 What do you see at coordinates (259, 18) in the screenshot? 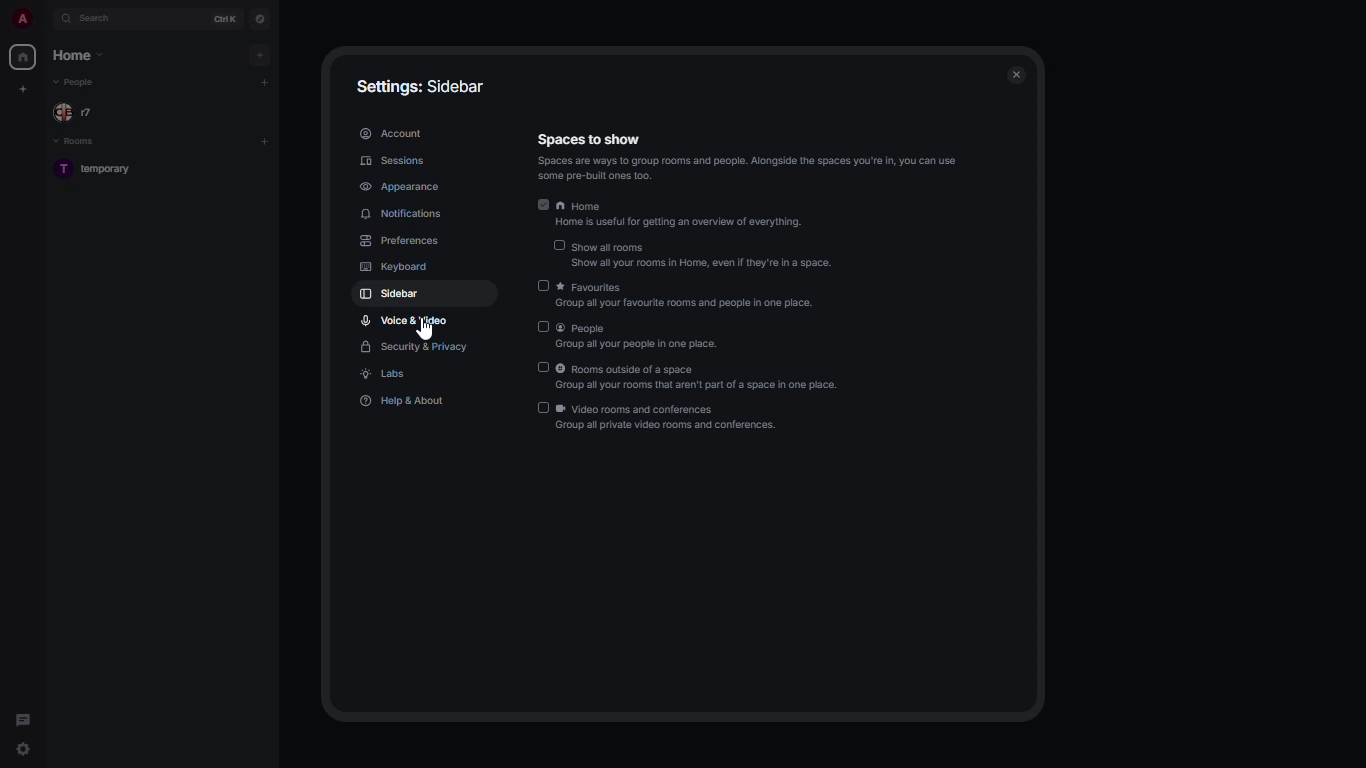
I see `navigator` at bounding box center [259, 18].